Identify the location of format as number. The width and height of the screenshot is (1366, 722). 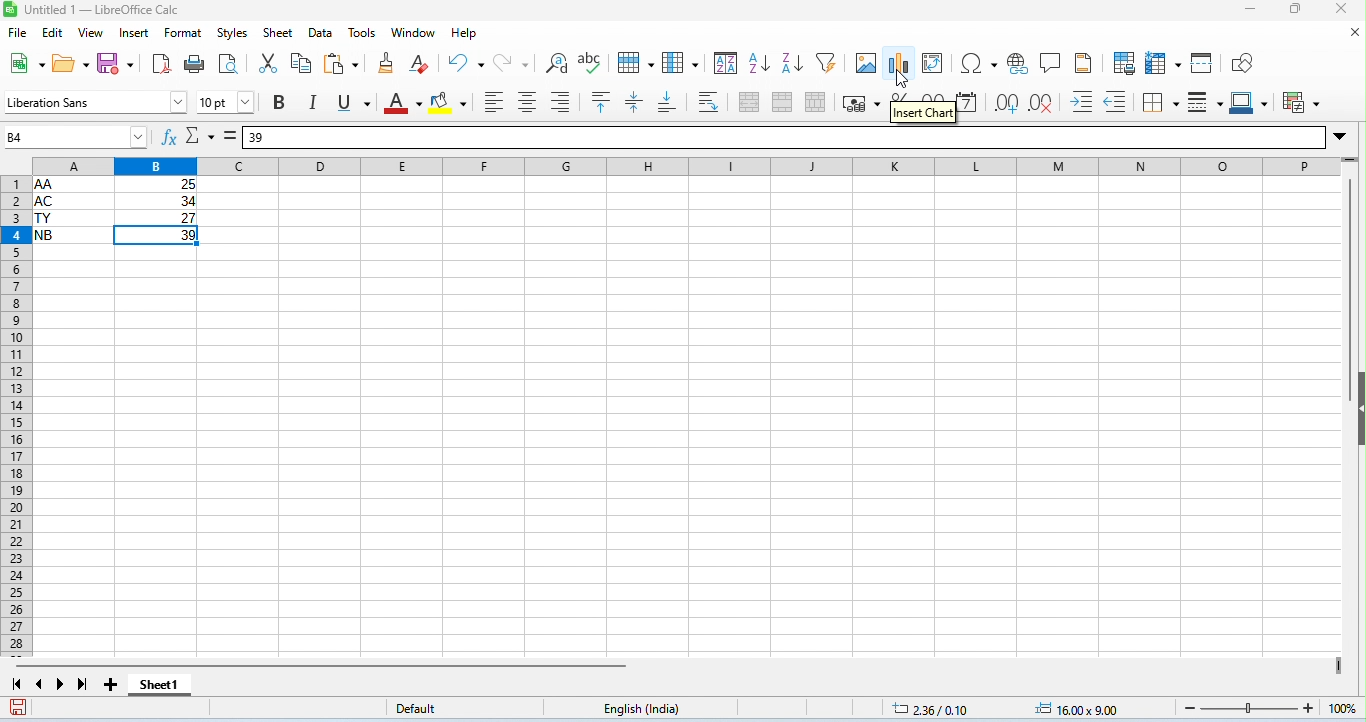
(933, 107).